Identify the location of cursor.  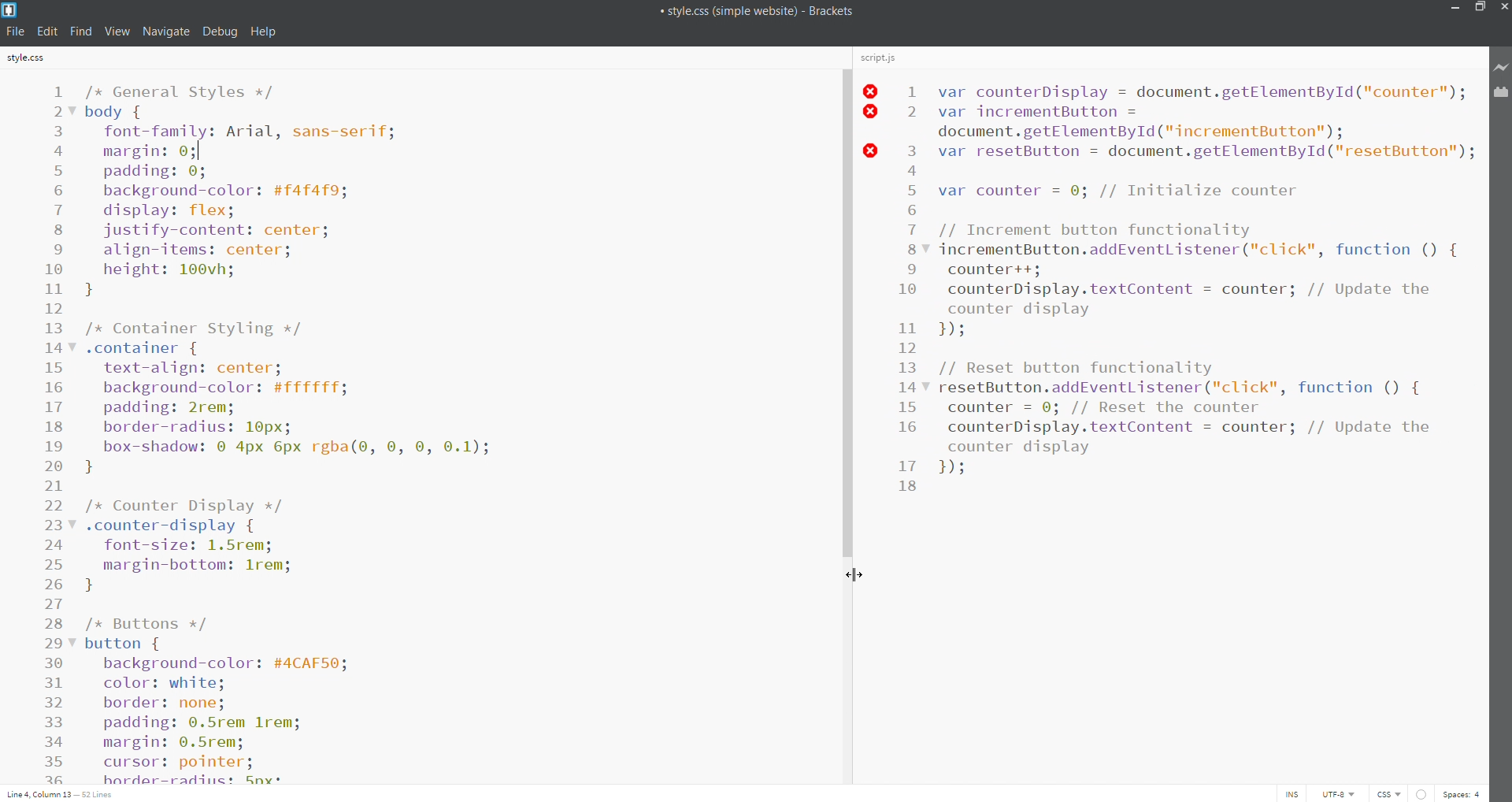
(854, 574).